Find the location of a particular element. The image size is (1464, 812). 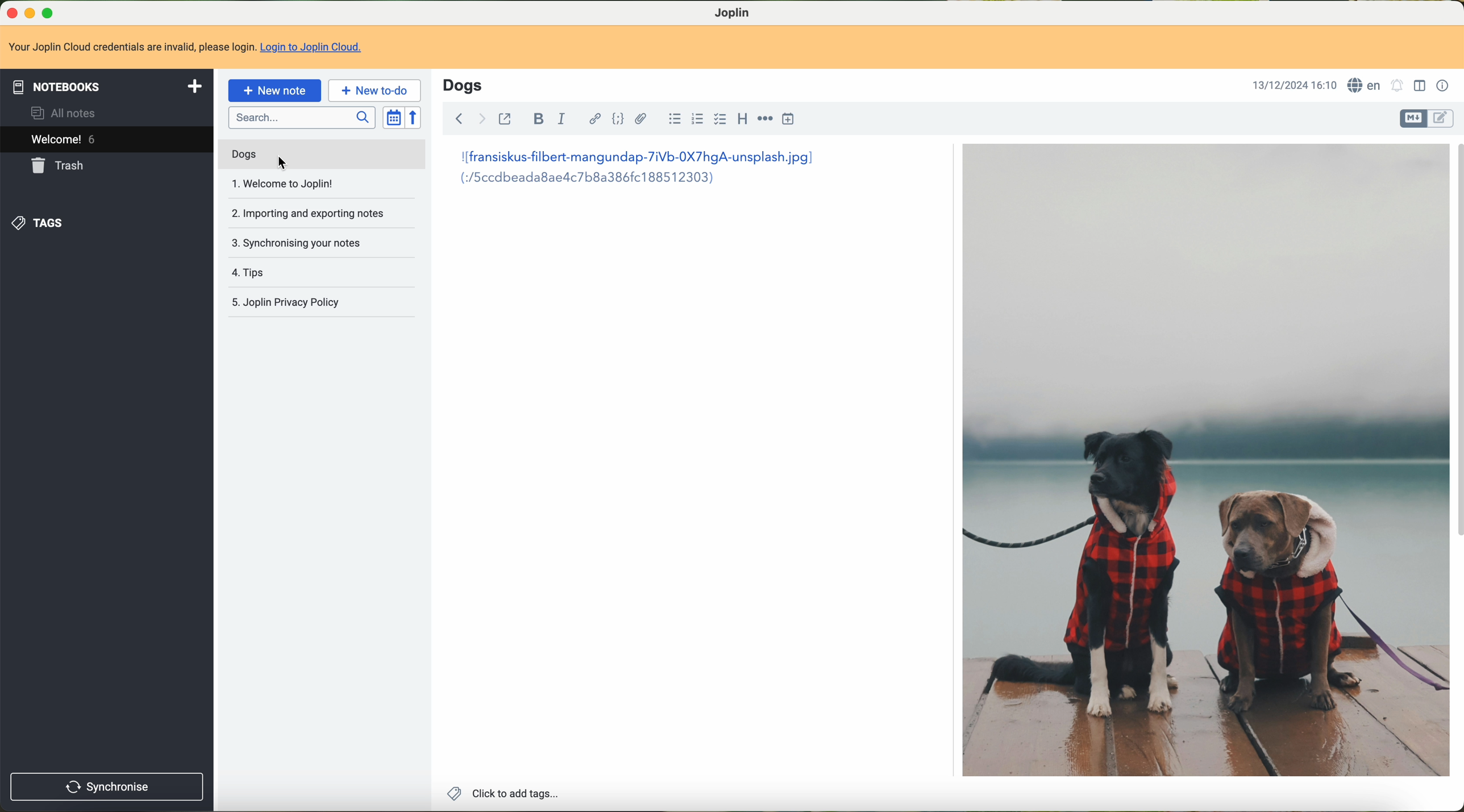

insert time is located at coordinates (790, 120).